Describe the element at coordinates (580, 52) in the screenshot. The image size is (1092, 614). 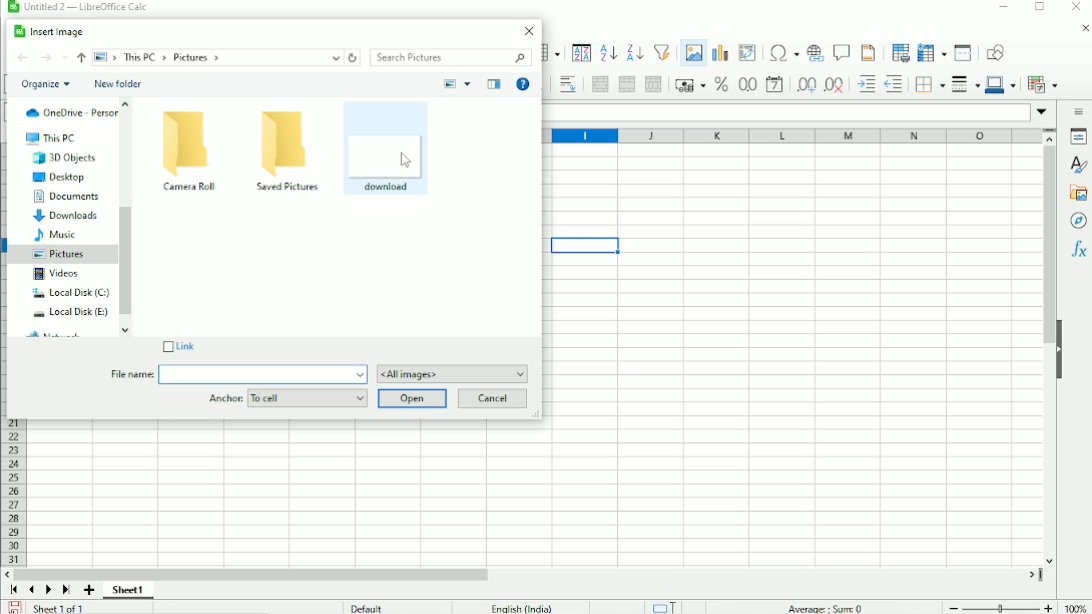
I see `Sort` at that location.